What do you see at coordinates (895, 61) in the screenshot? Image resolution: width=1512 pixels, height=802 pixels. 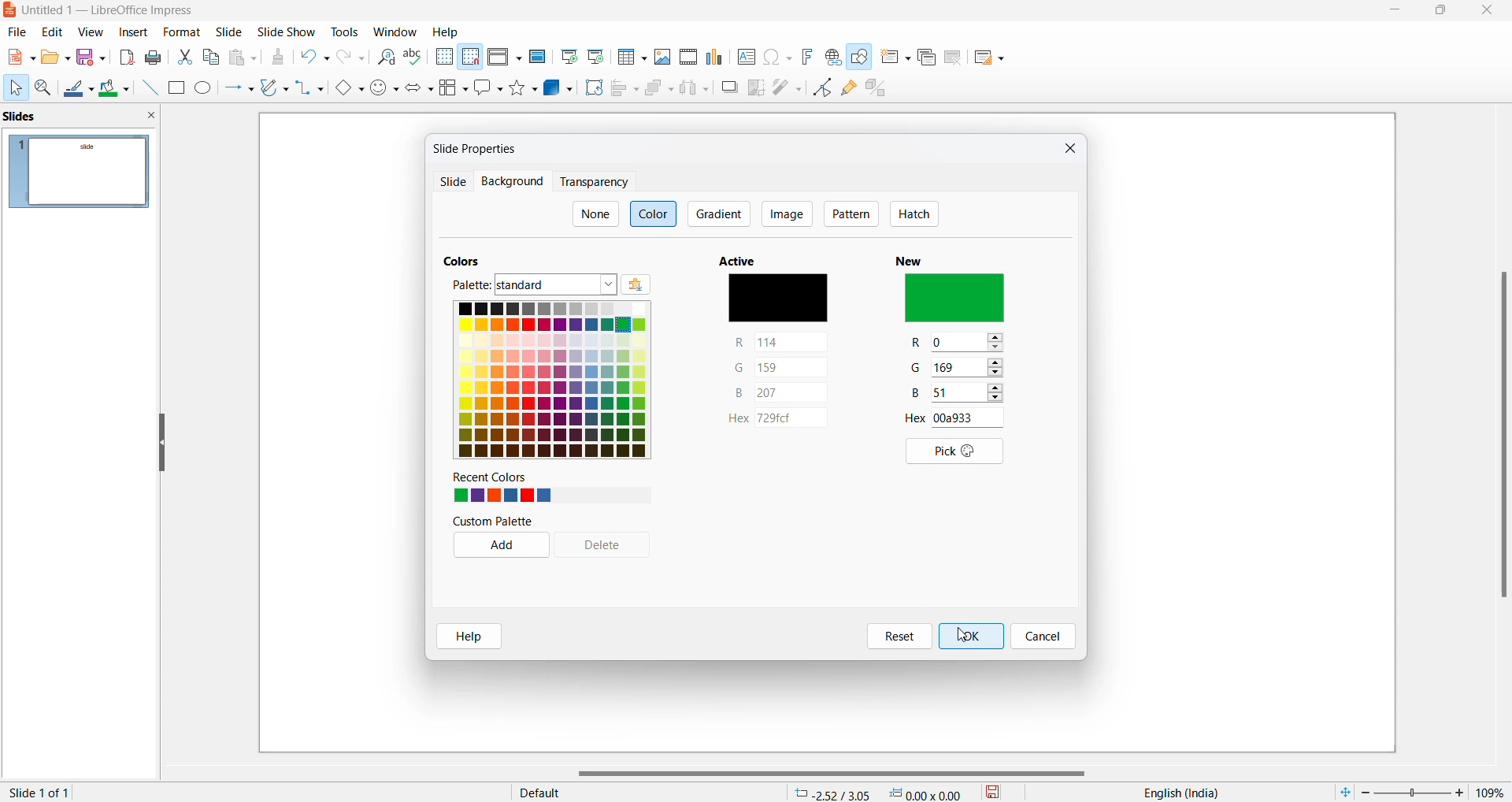 I see `new slide` at bounding box center [895, 61].